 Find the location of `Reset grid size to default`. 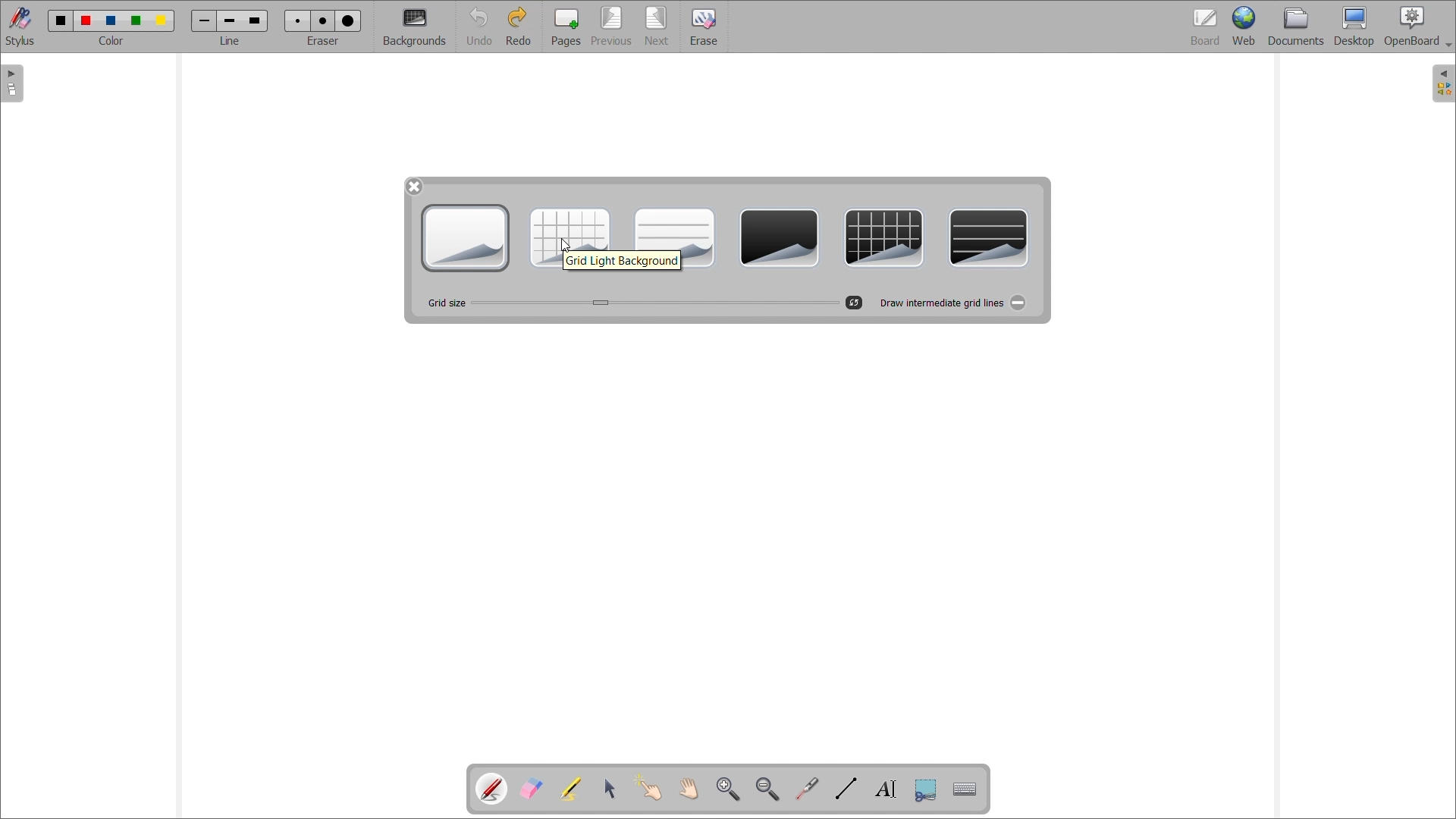

Reset grid size to default is located at coordinates (854, 303).